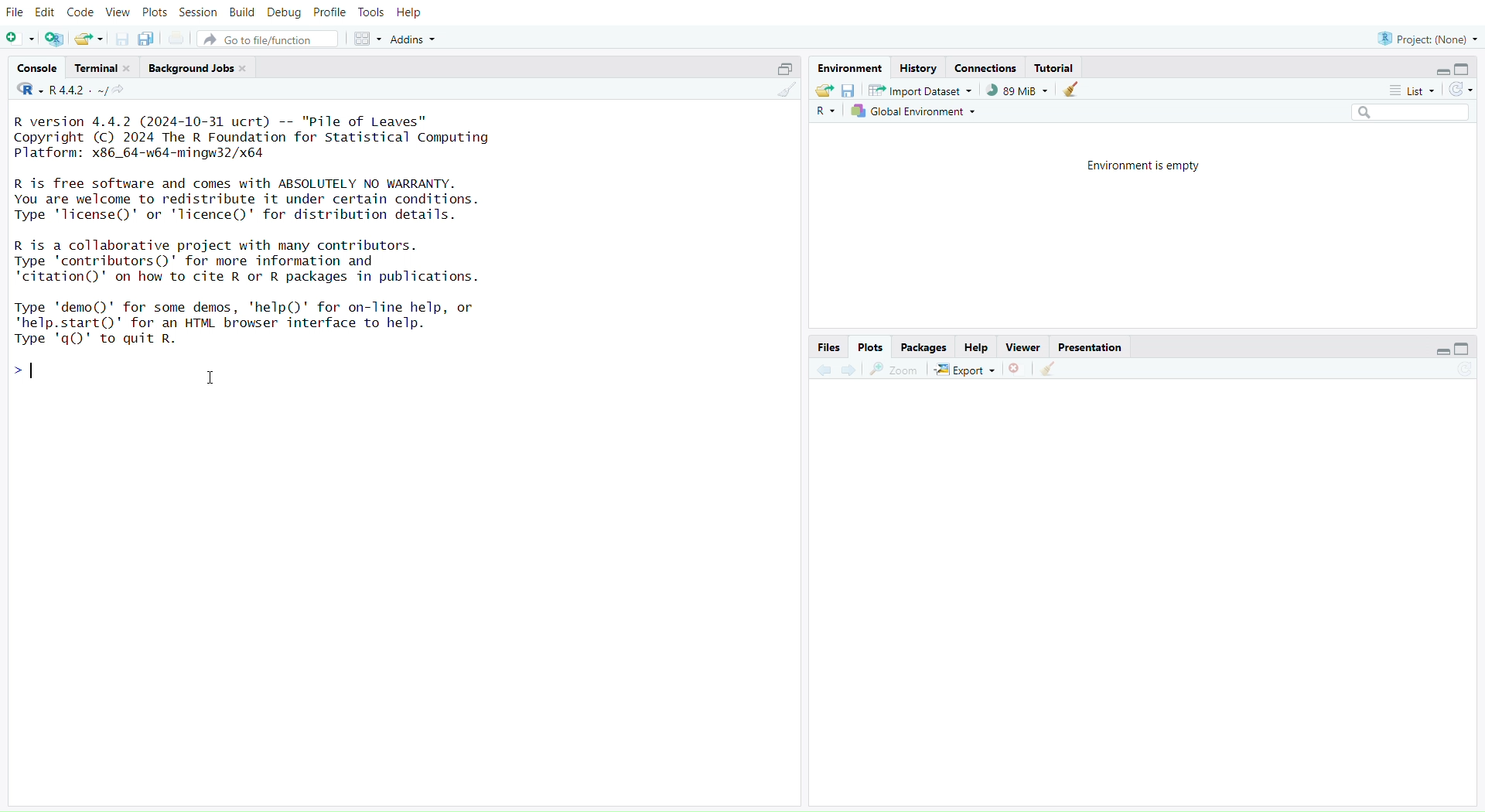  Describe the element at coordinates (124, 92) in the screenshot. I see `View the current working directory` at that location.